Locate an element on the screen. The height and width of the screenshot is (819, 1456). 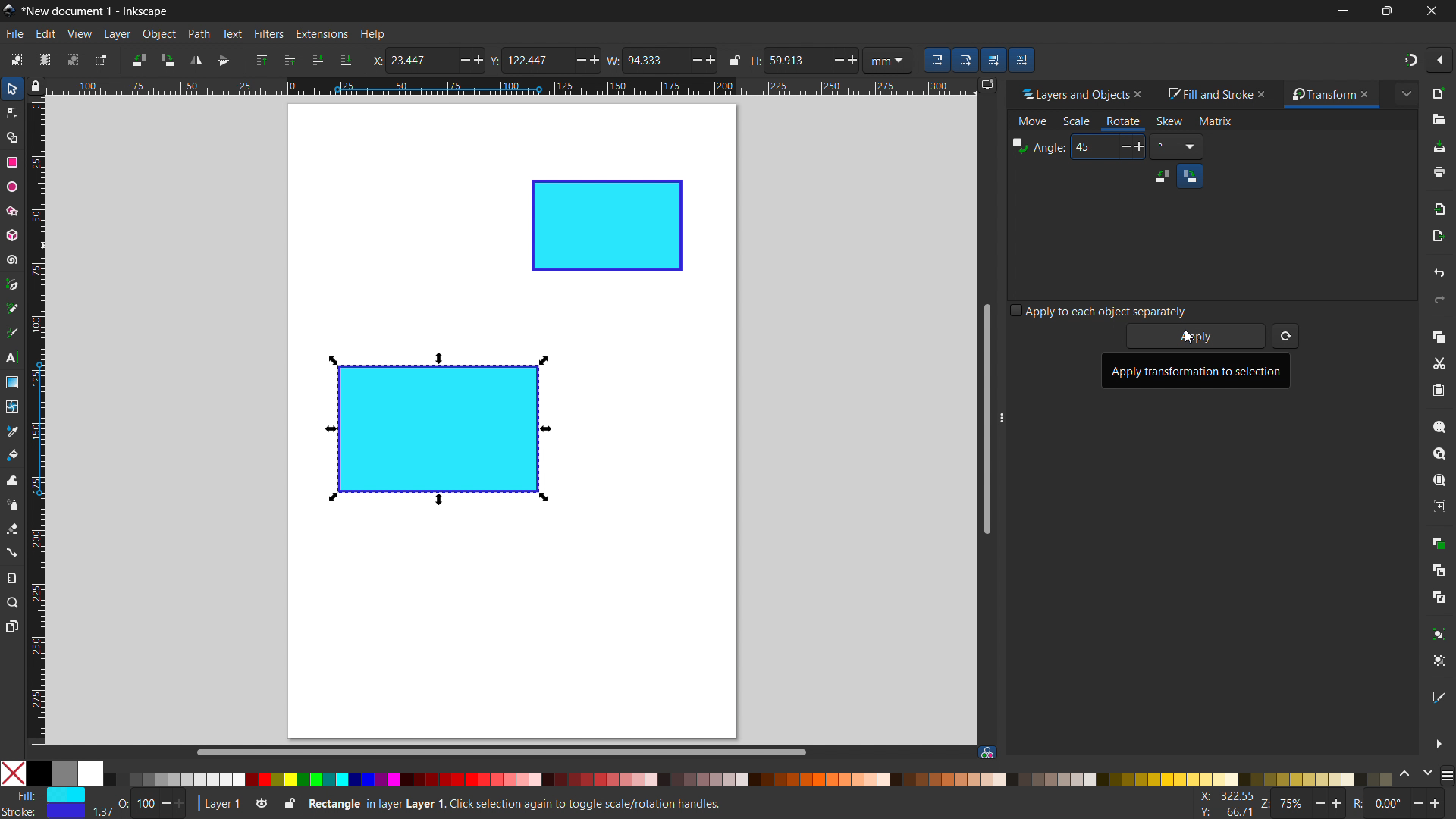
Stroke is located at coordinates (44, 812).